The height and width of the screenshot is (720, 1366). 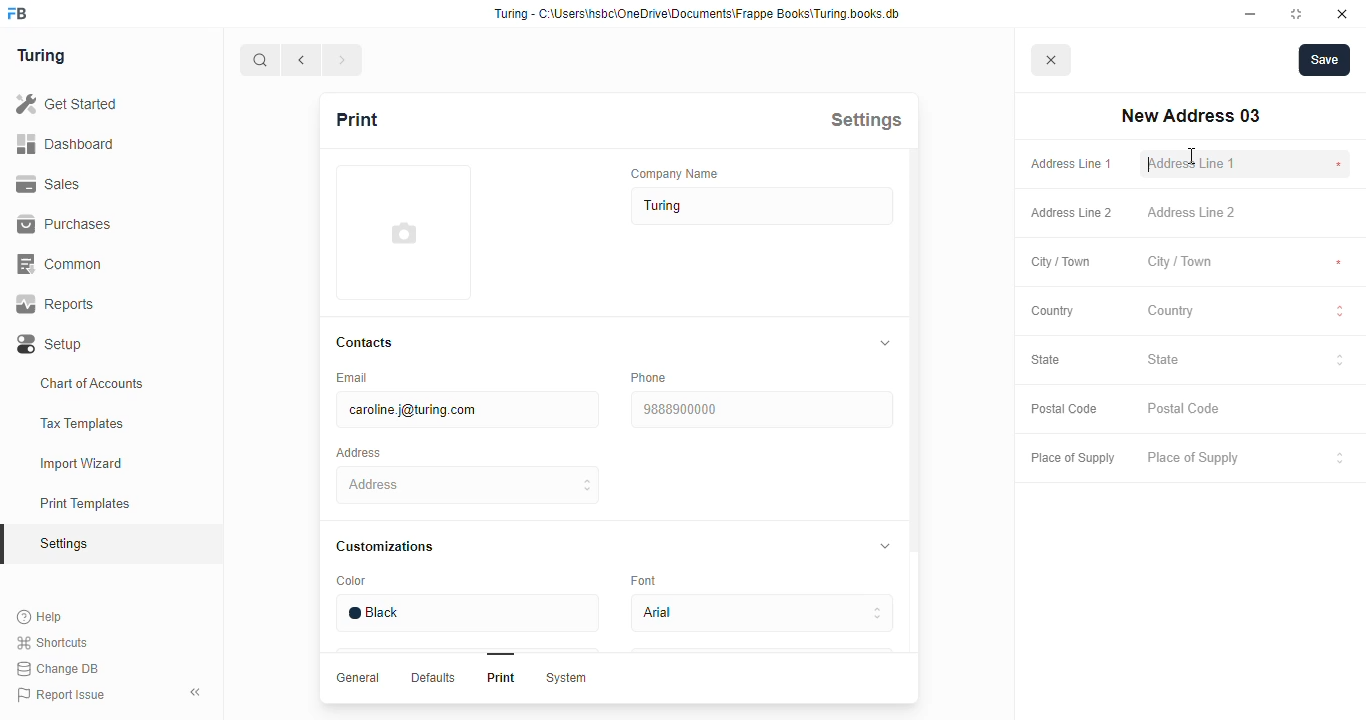 I want to click on black, so click(x=466, y=613).